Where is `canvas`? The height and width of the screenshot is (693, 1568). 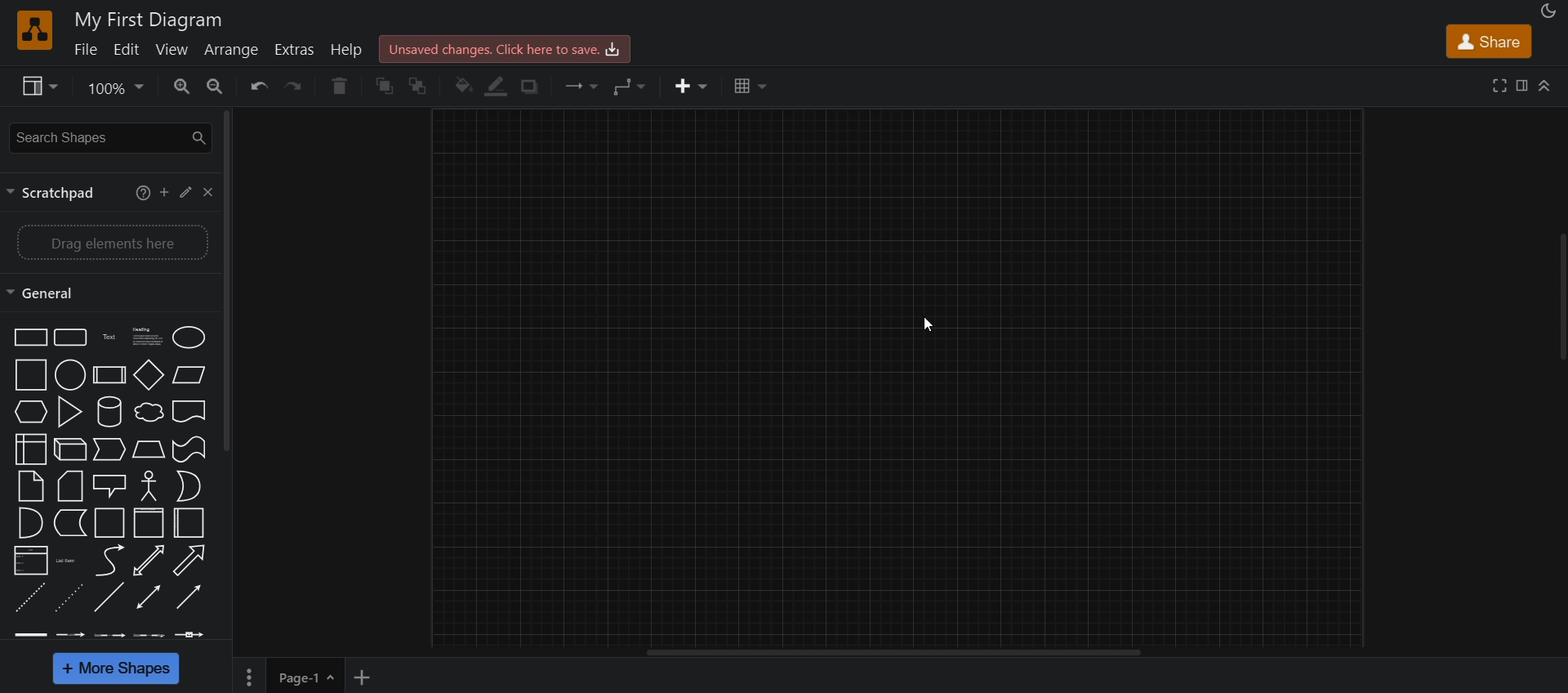 canvas is located at coordinates (897, 378).